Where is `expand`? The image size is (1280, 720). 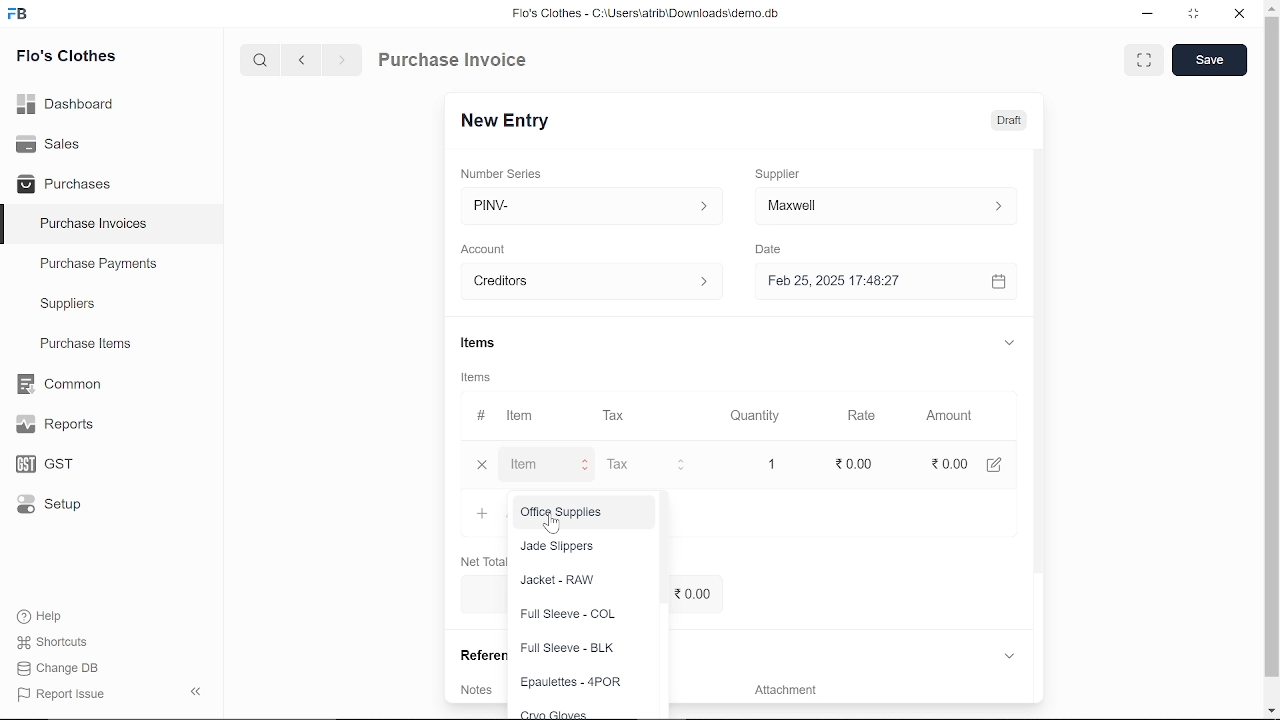
expand is located at coordinates (1015, 344).